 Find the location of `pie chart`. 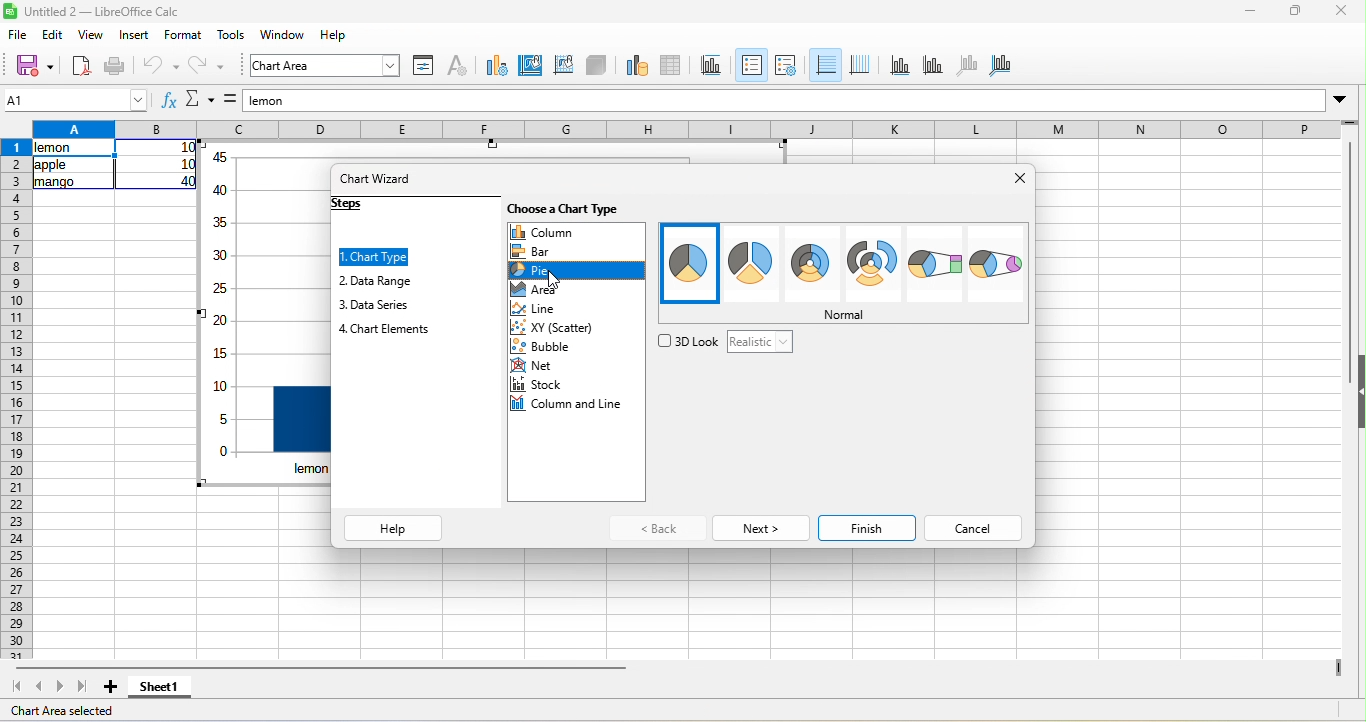

pie chart is located at coordinates (752, 264).